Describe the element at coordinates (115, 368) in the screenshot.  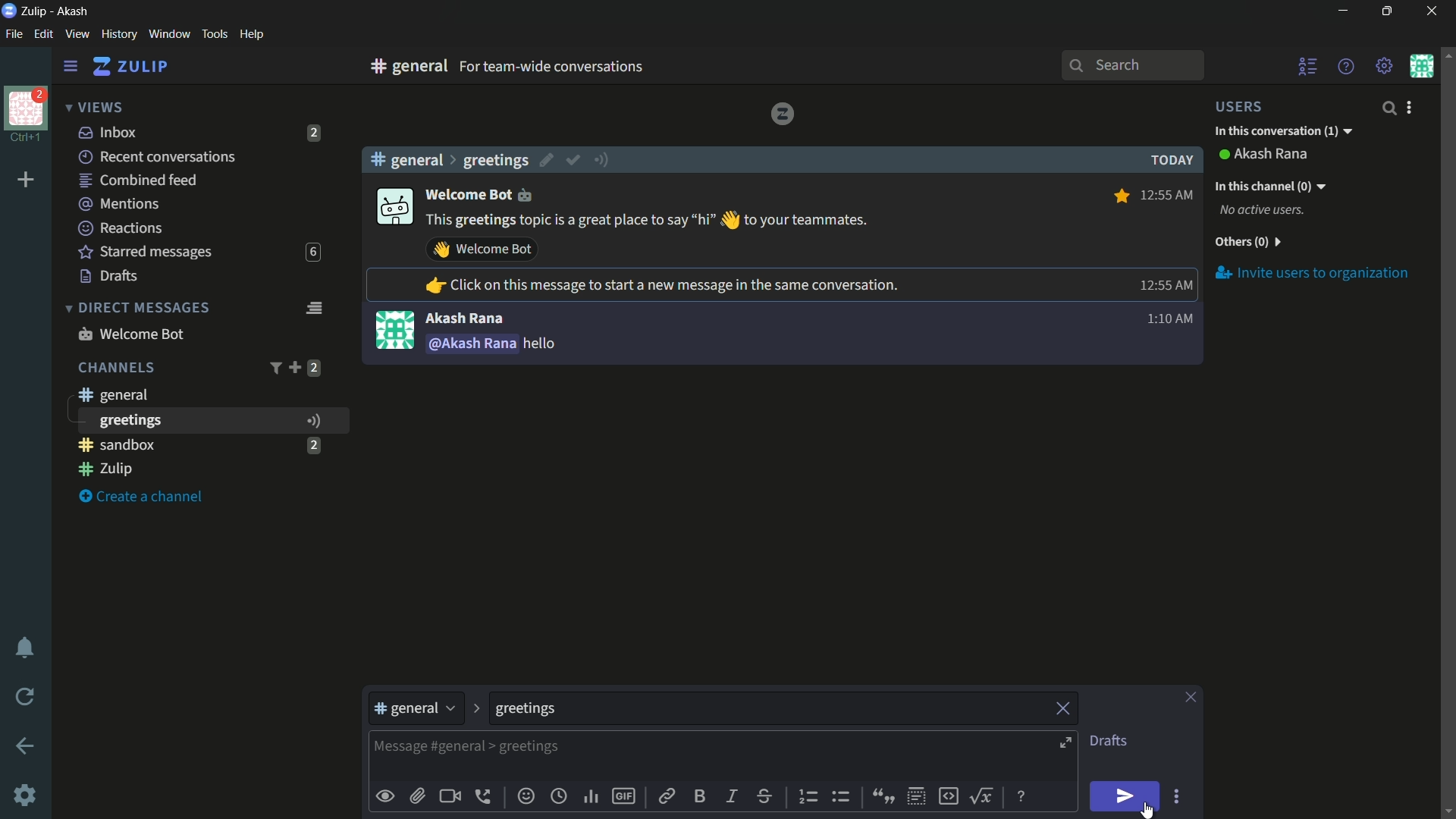
I see `channels` at that location.